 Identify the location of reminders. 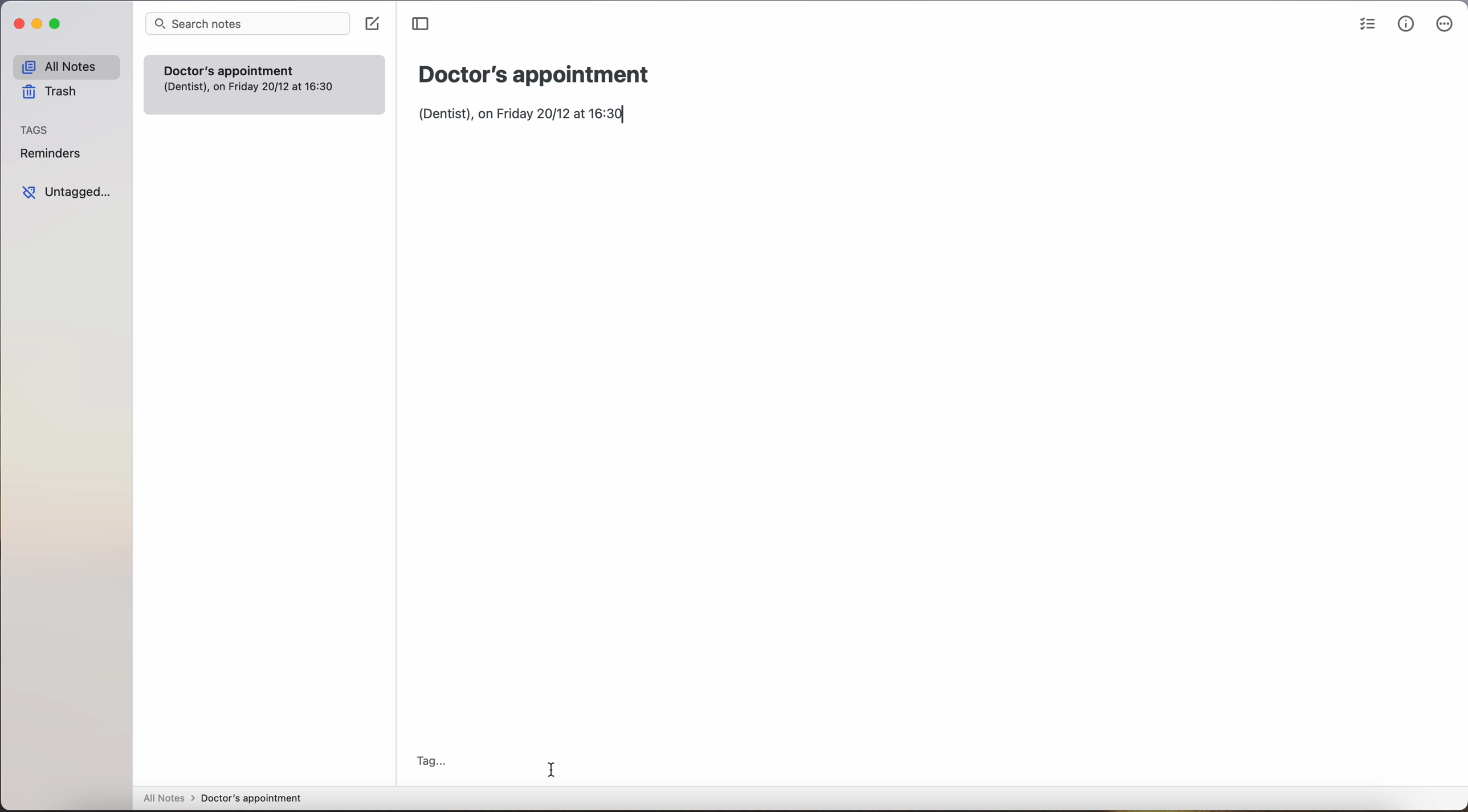
(51, 153).